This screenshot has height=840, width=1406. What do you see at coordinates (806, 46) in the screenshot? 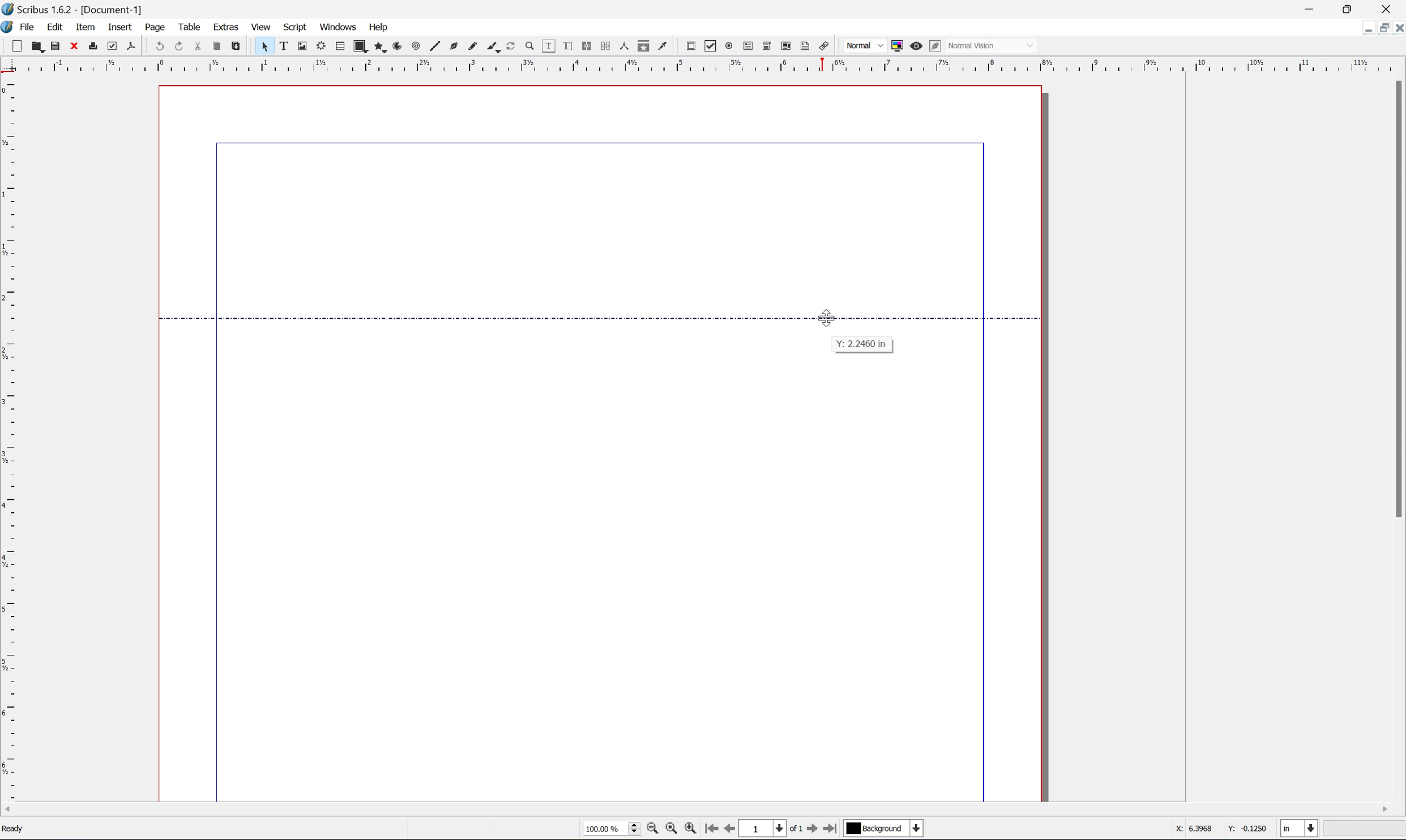
I see `text annotation` at bounding box center [806, 46].